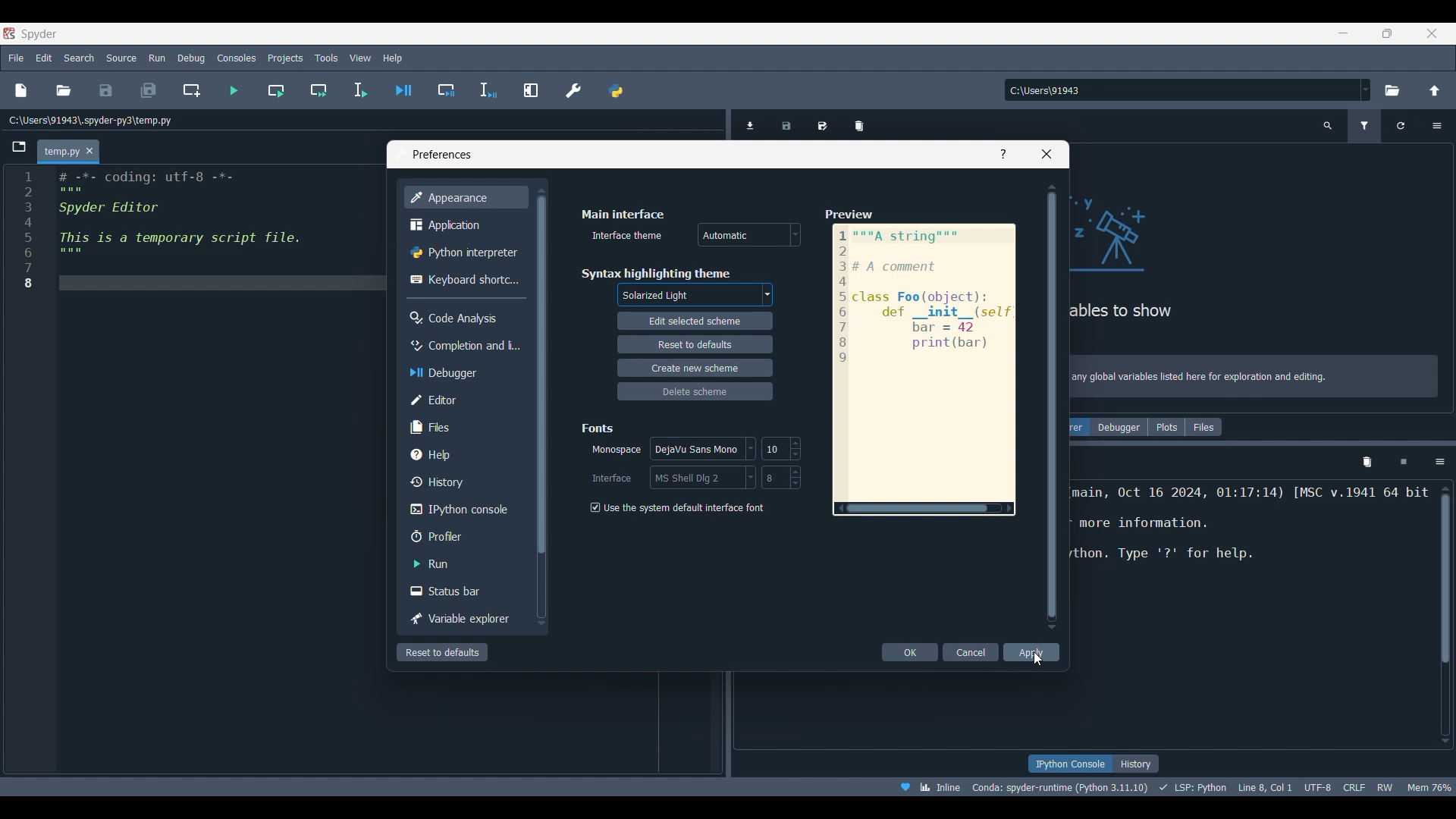 The image size is (1456, 819). I want to click on Section title, so click(655, 274).